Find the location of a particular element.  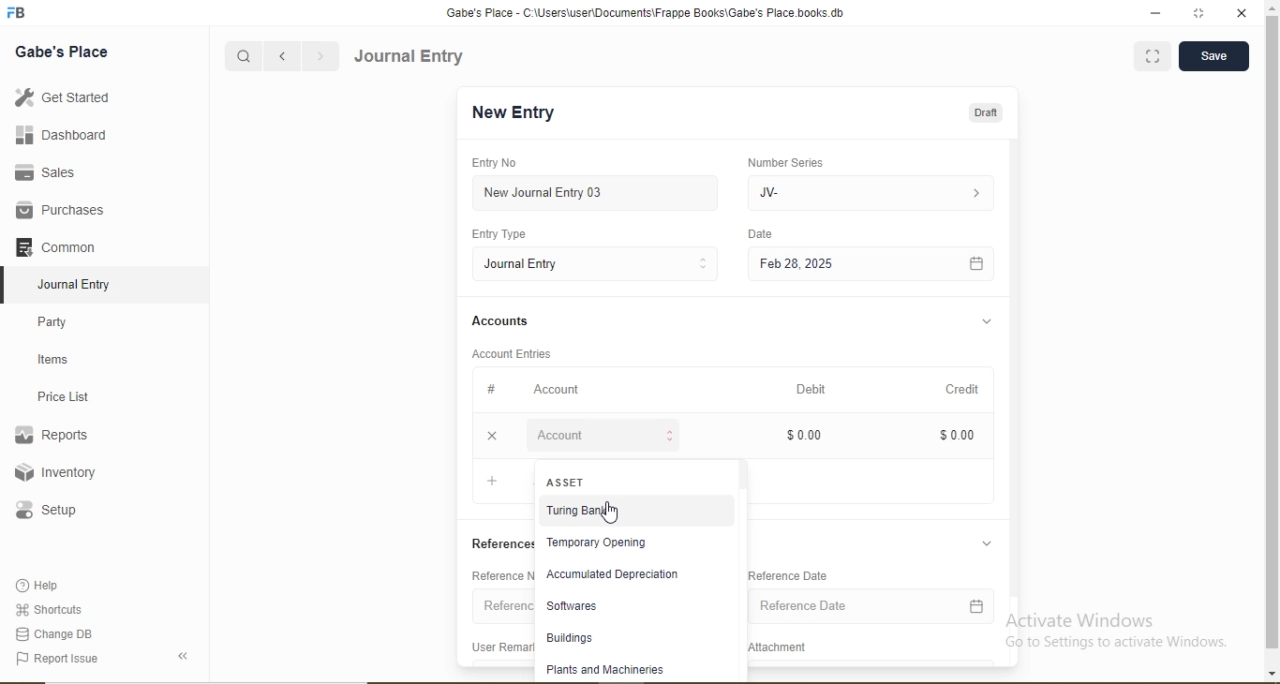

Save is located at coordinates (1213, 56).